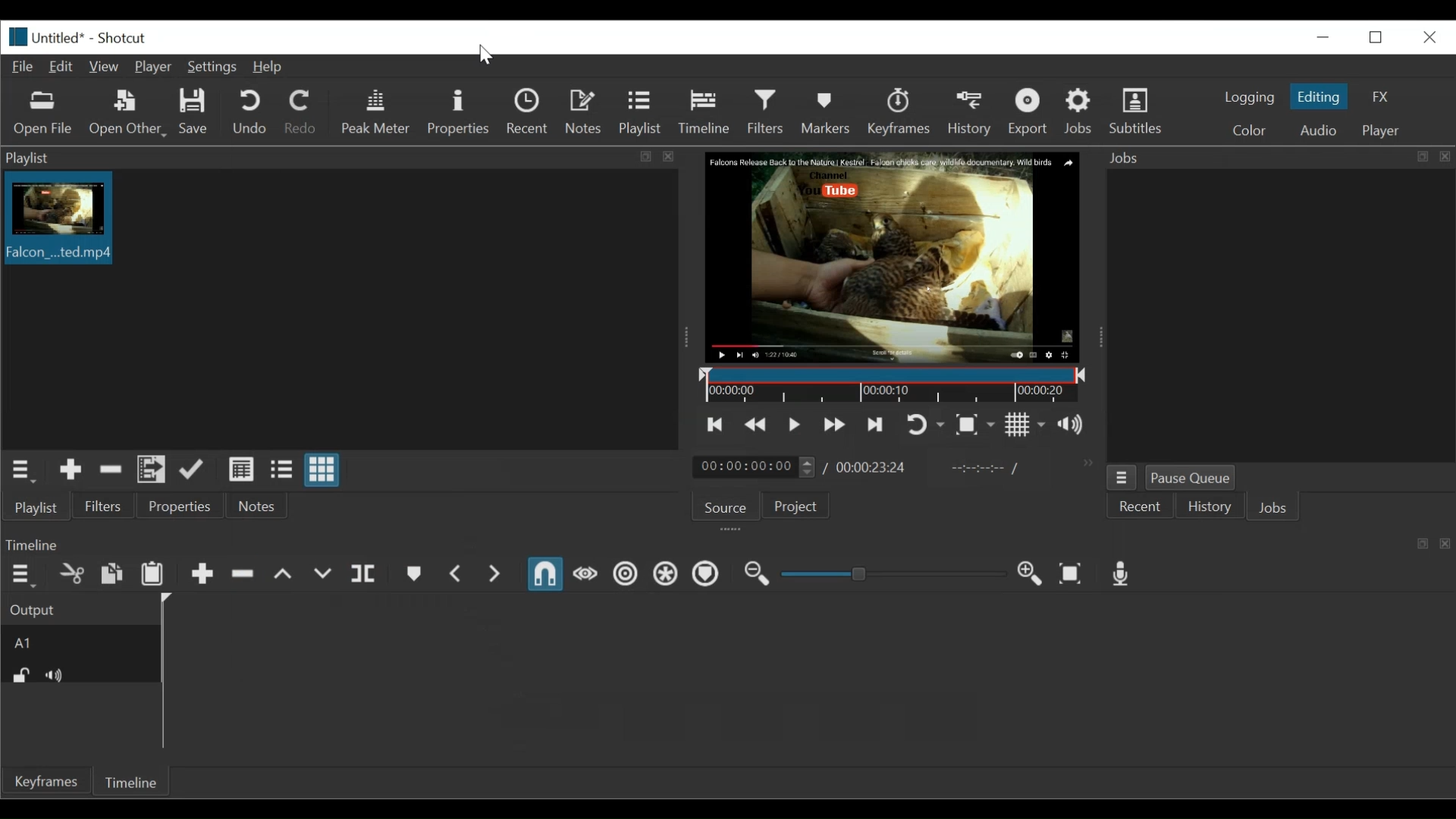 This screenshot has height=819, width=1456. What do you see at coordinates (757, 425) in the screenshot?
I see `Play quickly backward` at bounding box center [757, 425].